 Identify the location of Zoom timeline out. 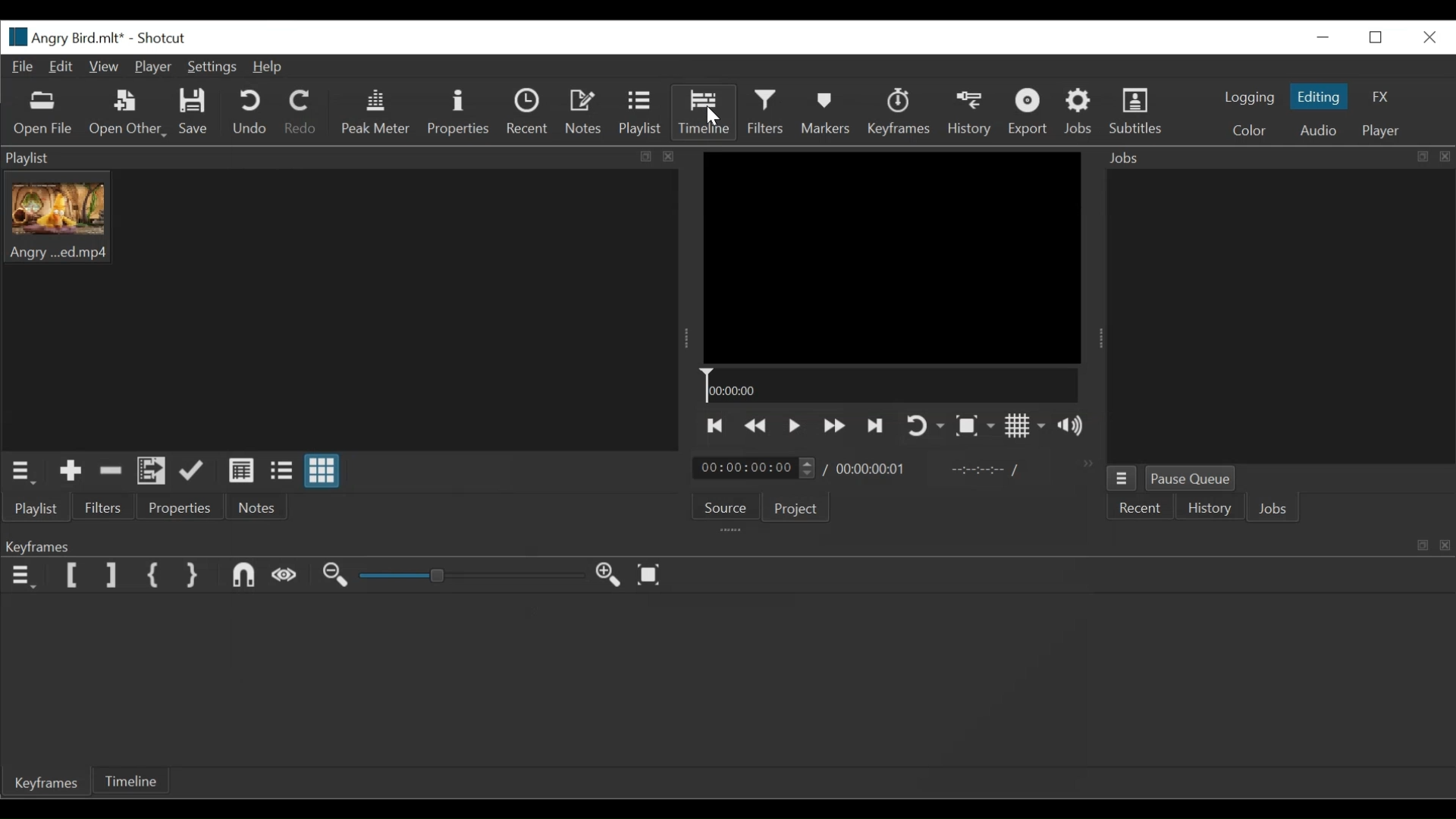
(336, 576).